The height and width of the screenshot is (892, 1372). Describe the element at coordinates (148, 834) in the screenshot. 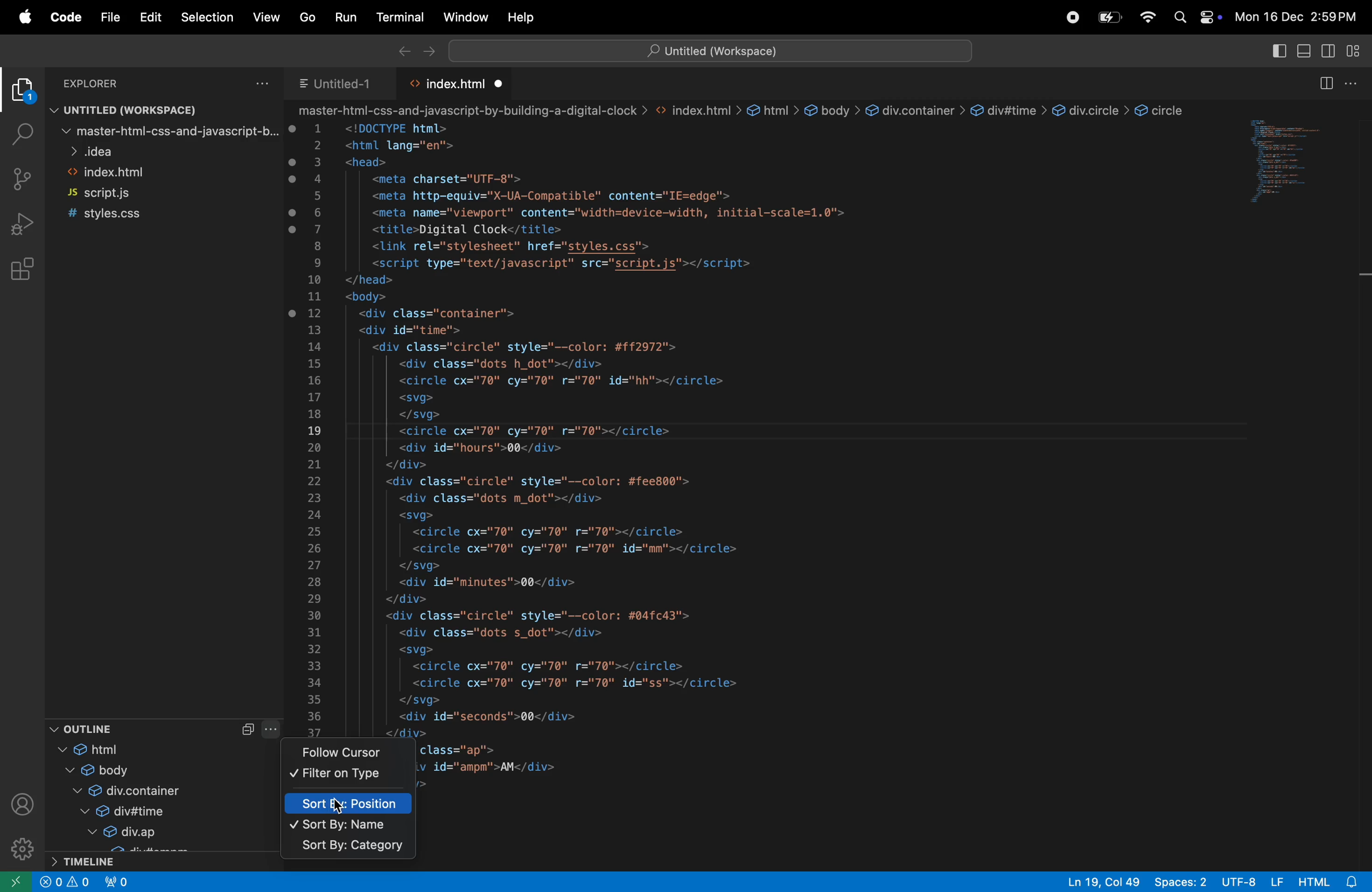

I see `div up` at that location.